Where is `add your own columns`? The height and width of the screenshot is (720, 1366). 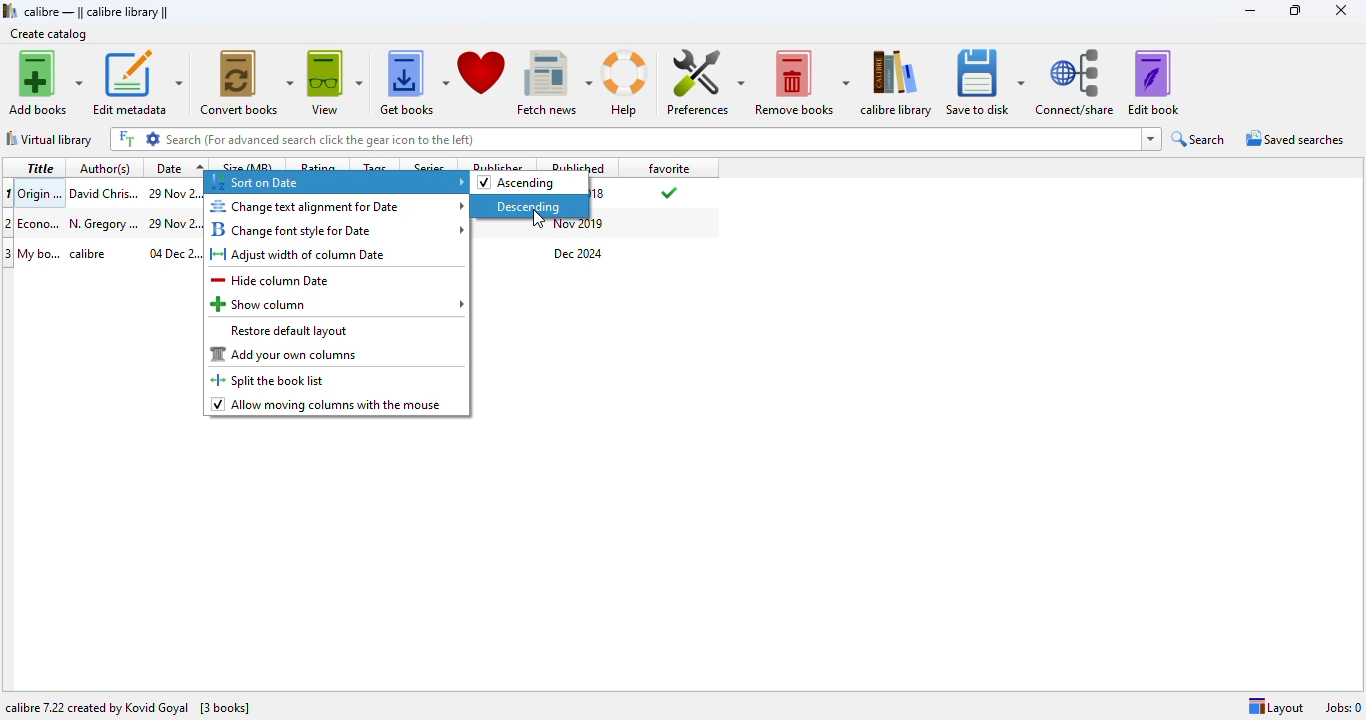
add your own columns is located at coordinates (285, 354).